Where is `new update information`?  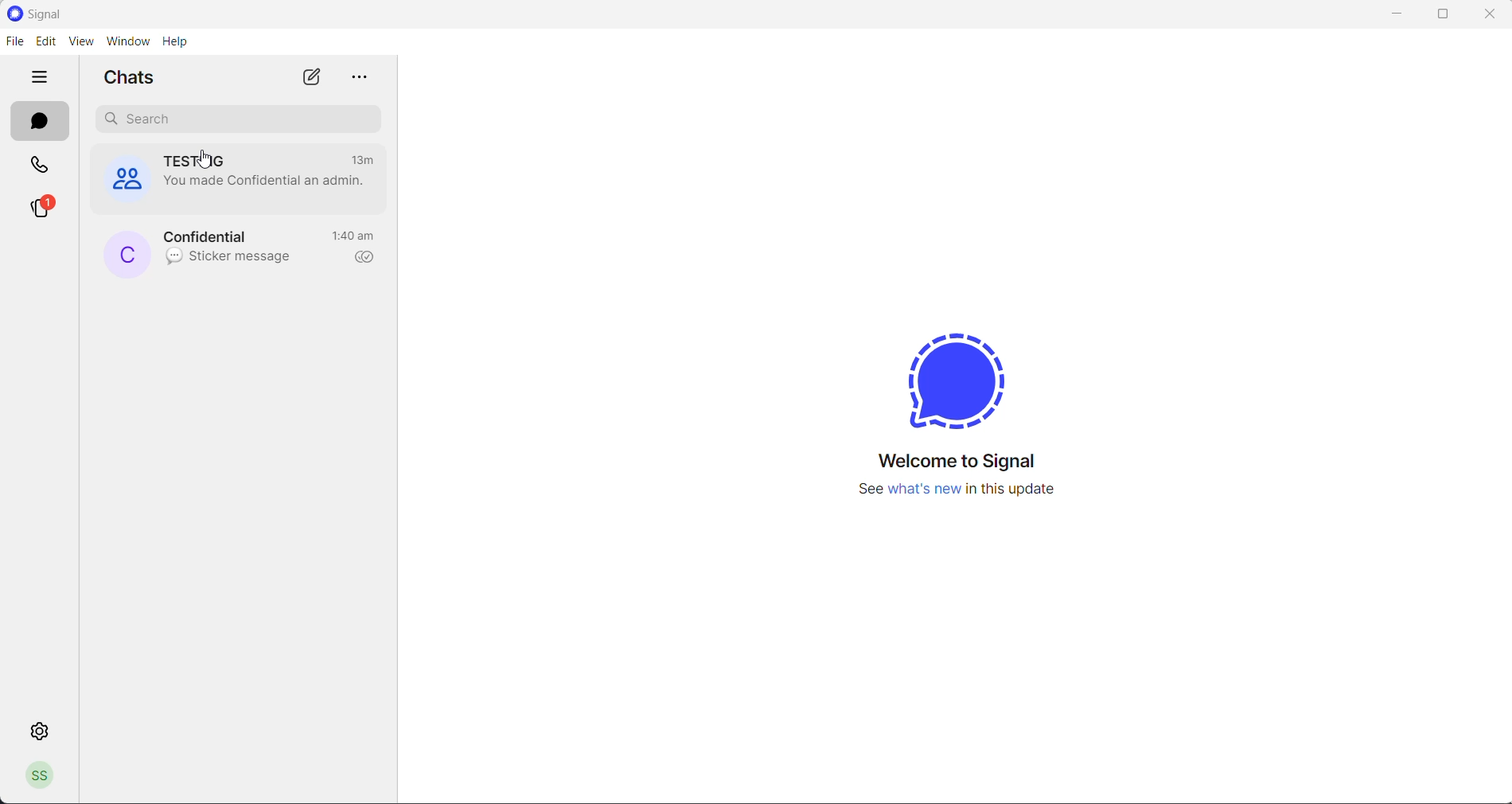 new update information is located at coordinates (963, 490).